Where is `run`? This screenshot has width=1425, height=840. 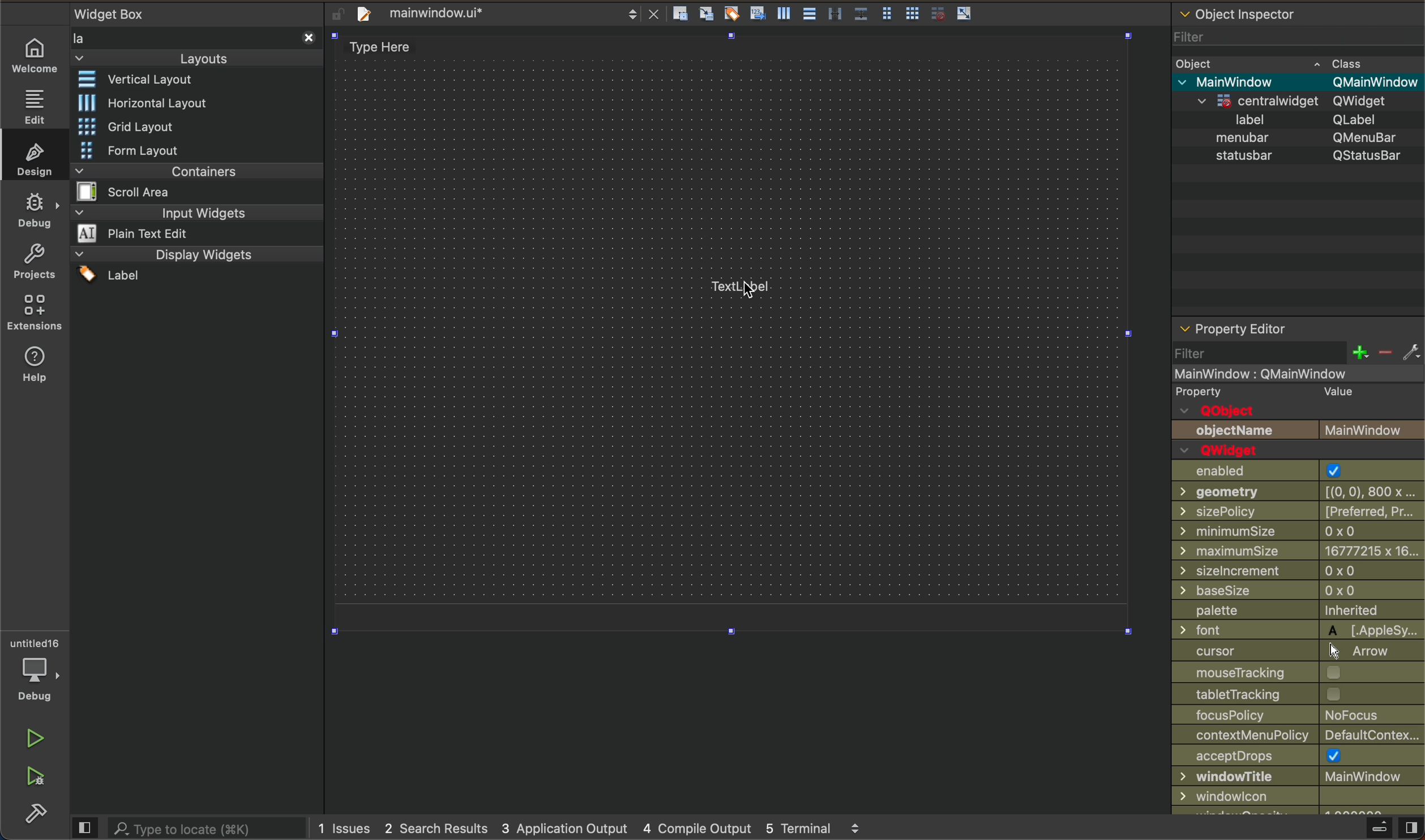
run is located at coordinates (35, 742).